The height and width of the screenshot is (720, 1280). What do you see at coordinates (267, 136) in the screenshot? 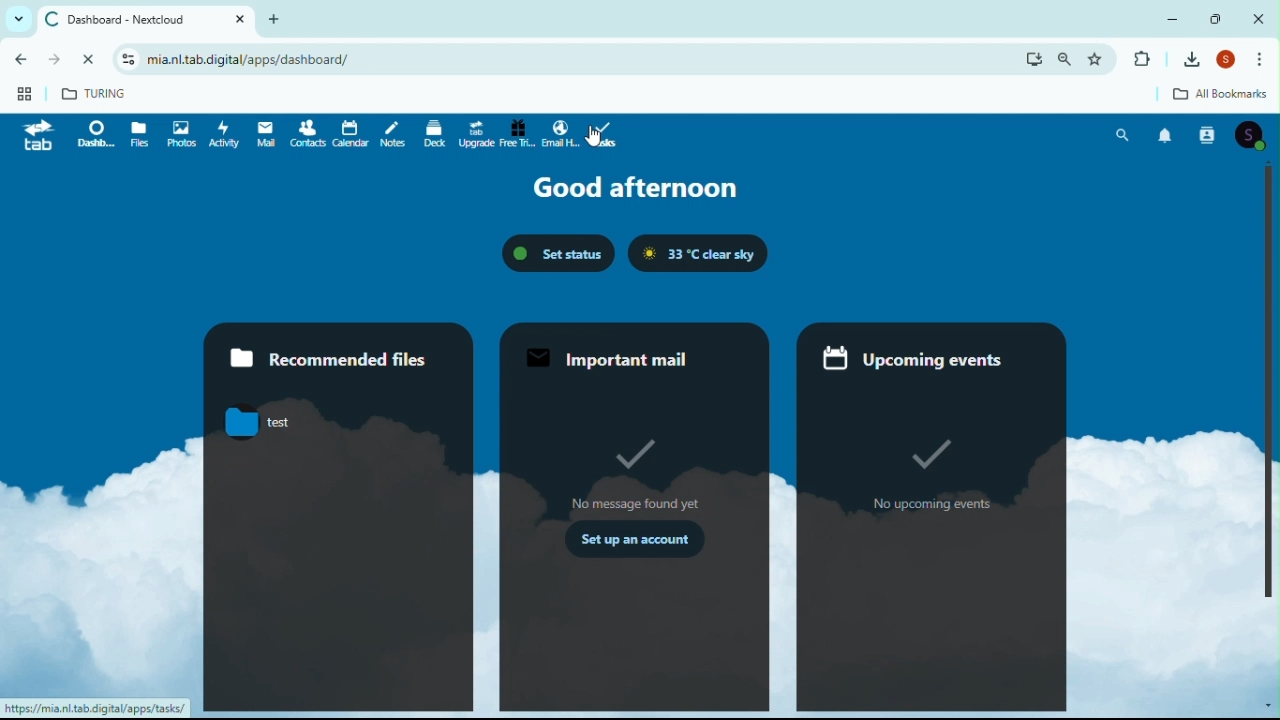
I see `email` at bounding box center [267, 136].